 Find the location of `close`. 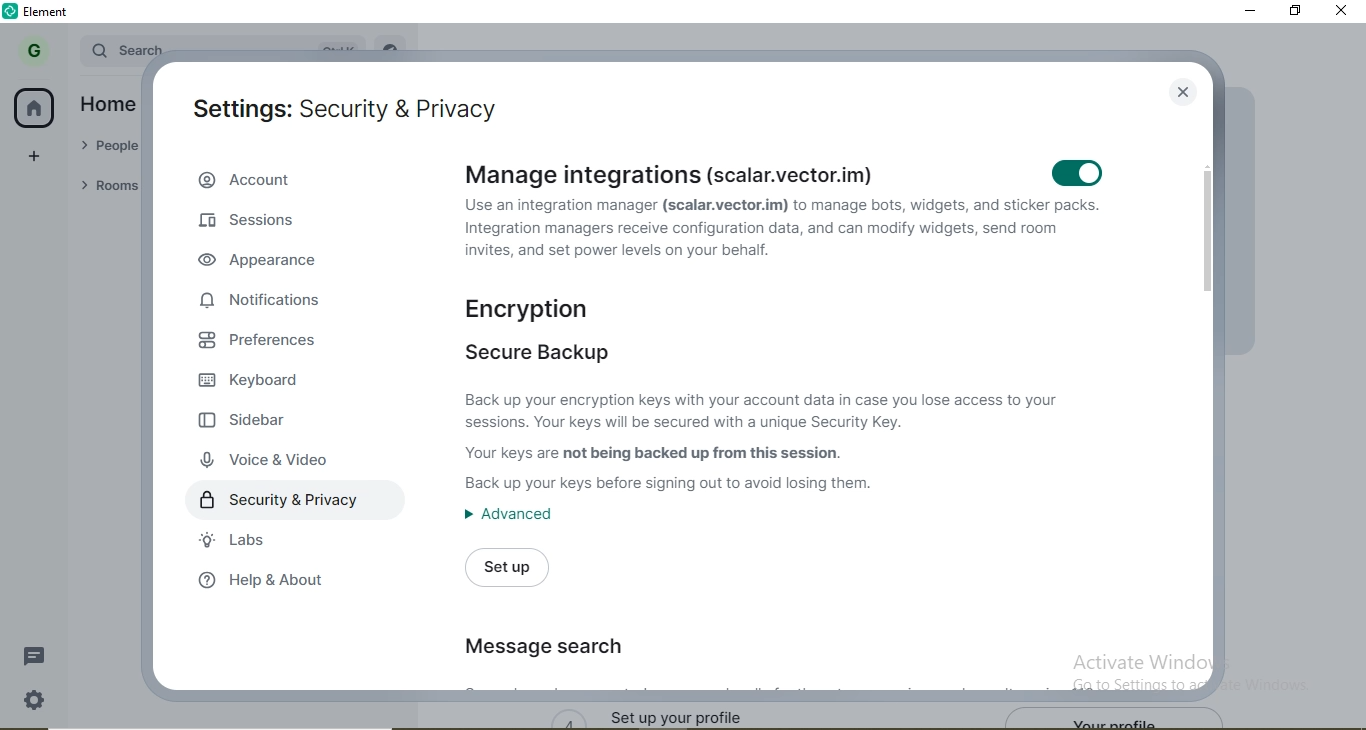

close is located at coordinates (1185, 92).